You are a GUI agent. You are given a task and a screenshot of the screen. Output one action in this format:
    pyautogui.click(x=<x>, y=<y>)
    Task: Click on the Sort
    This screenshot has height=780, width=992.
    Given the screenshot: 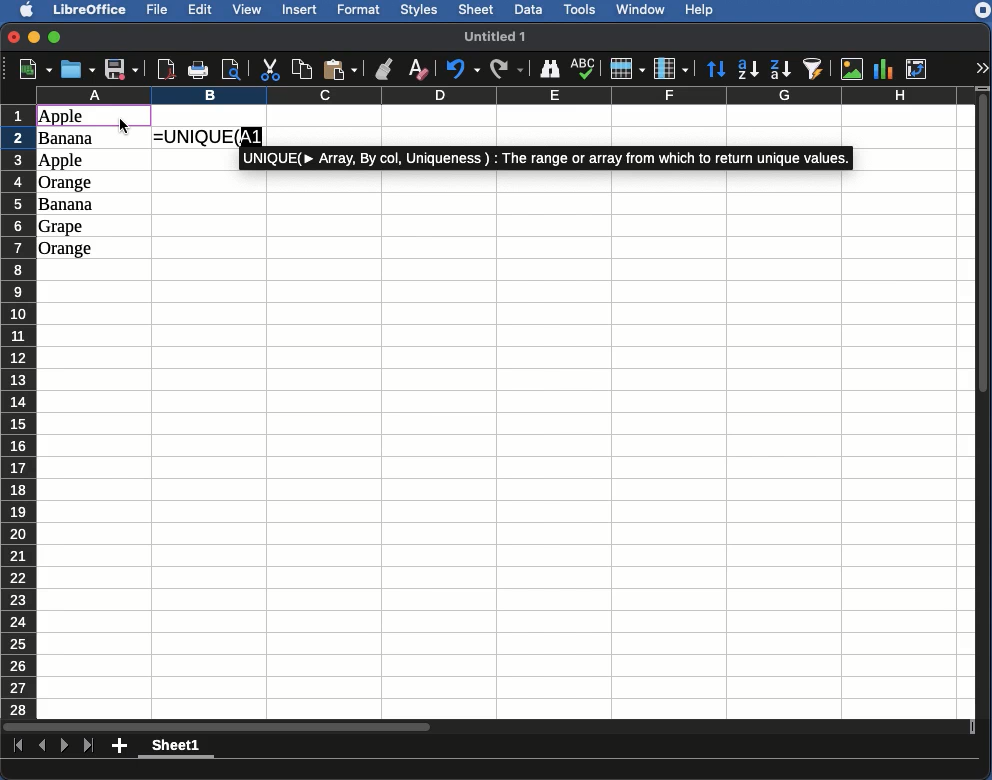 What is the action you would take?
    pyautogui.click(x=718, y=68)
    